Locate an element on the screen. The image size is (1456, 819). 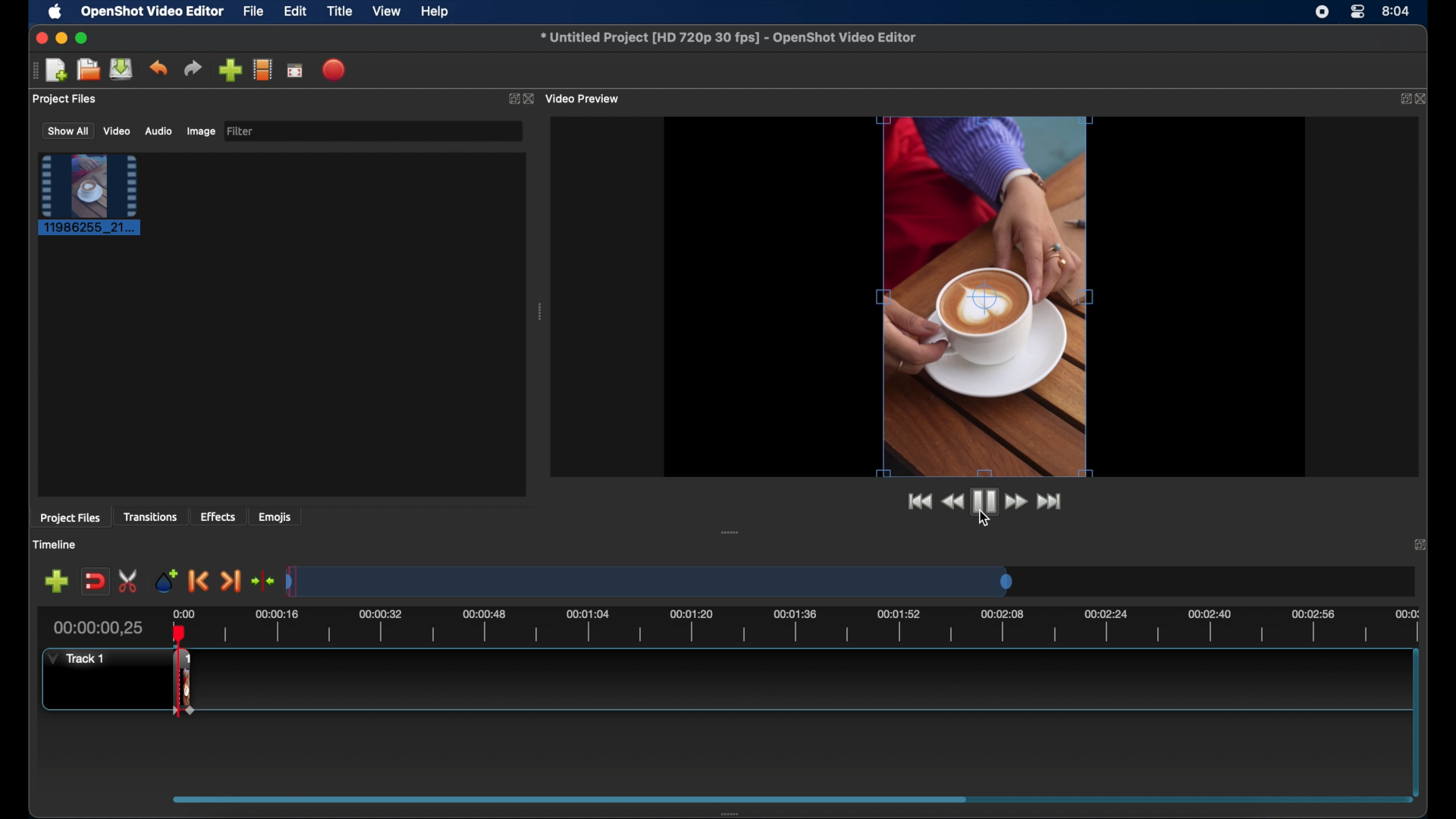
project files is located at coordinates (66, 99).